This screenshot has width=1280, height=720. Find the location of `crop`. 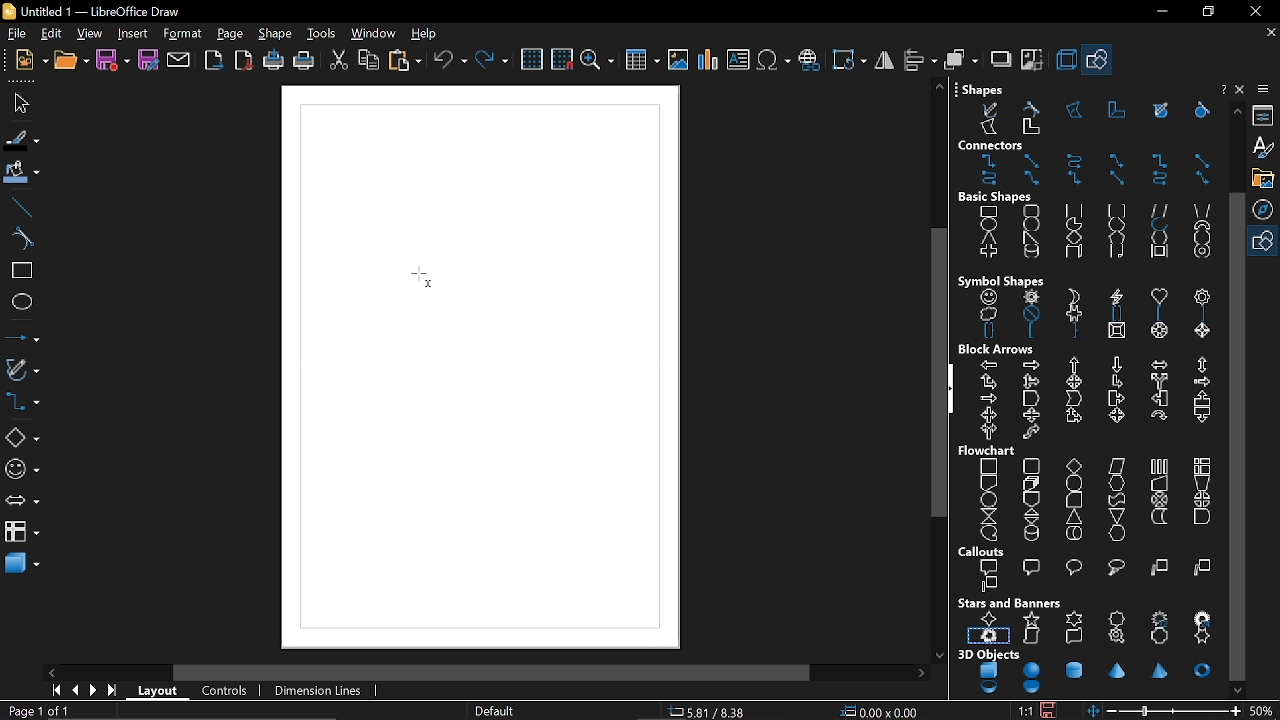

crop is located at coordinates (1034, 63).